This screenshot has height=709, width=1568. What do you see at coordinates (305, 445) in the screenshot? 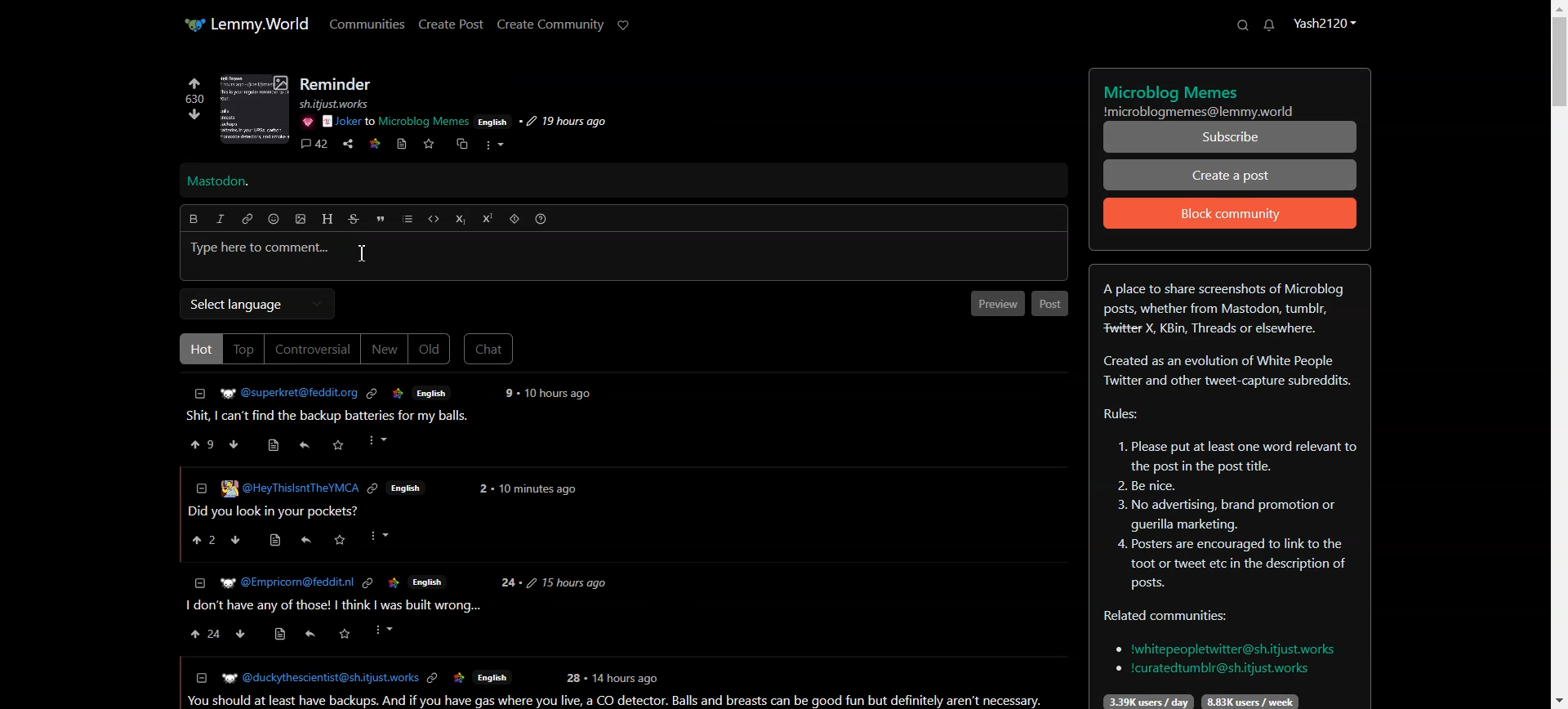
I see `Reply` at bounding box center [305, 445].